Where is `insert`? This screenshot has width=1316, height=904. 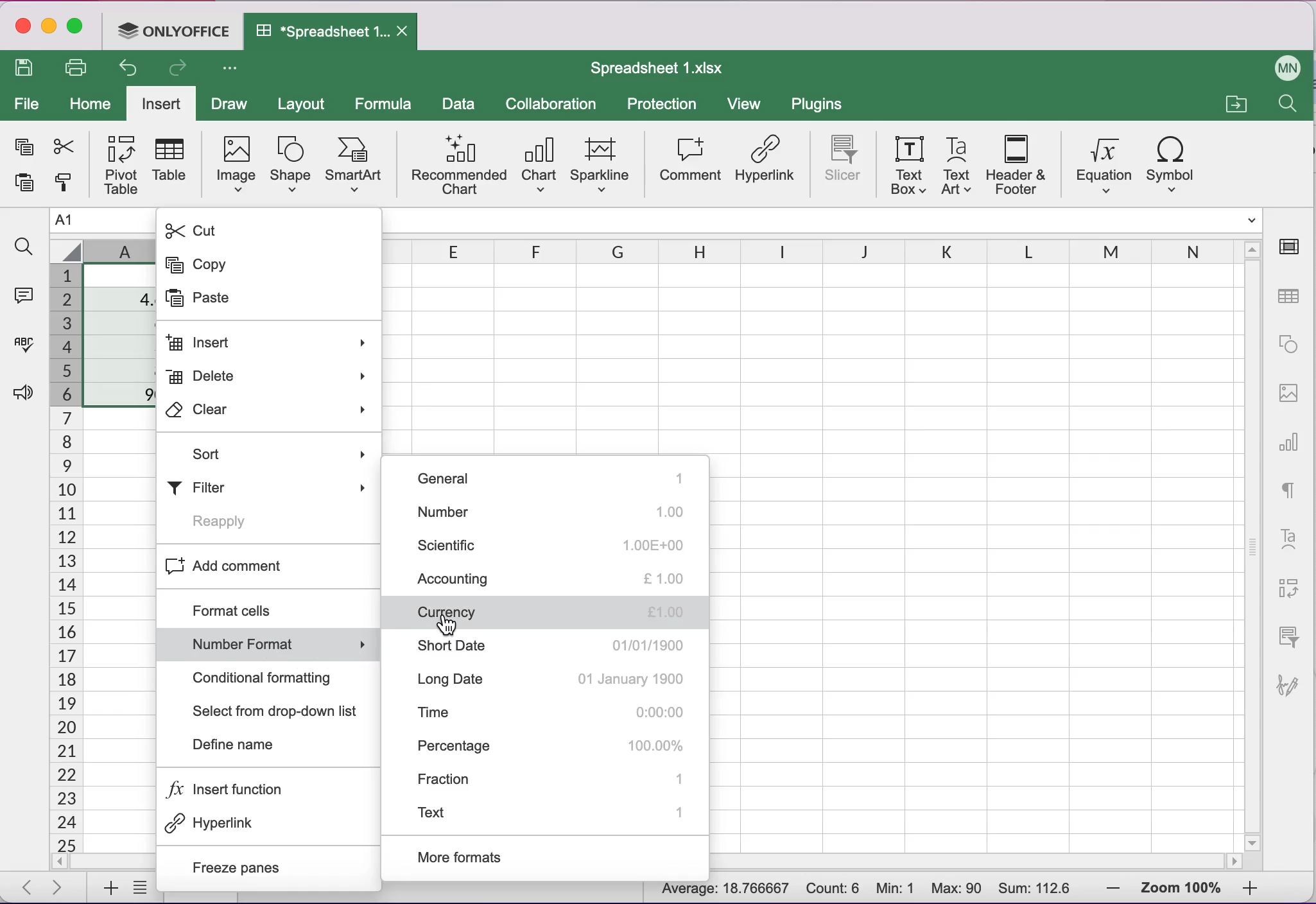 insert is located at coordinates (160, 103).